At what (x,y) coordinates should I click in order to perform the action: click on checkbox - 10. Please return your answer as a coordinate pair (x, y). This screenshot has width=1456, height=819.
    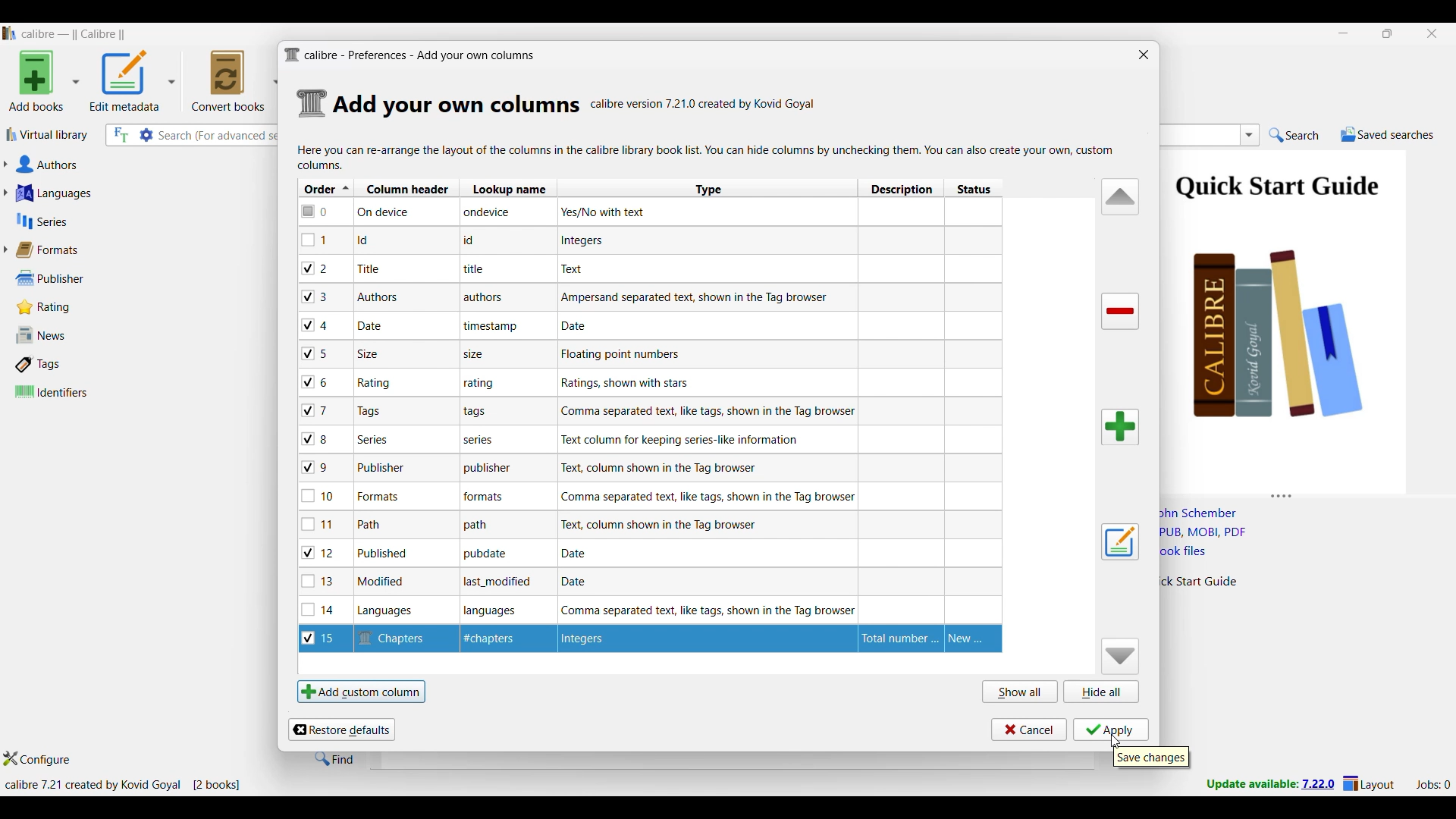
    Looking at the image, I should click on (321, 497).